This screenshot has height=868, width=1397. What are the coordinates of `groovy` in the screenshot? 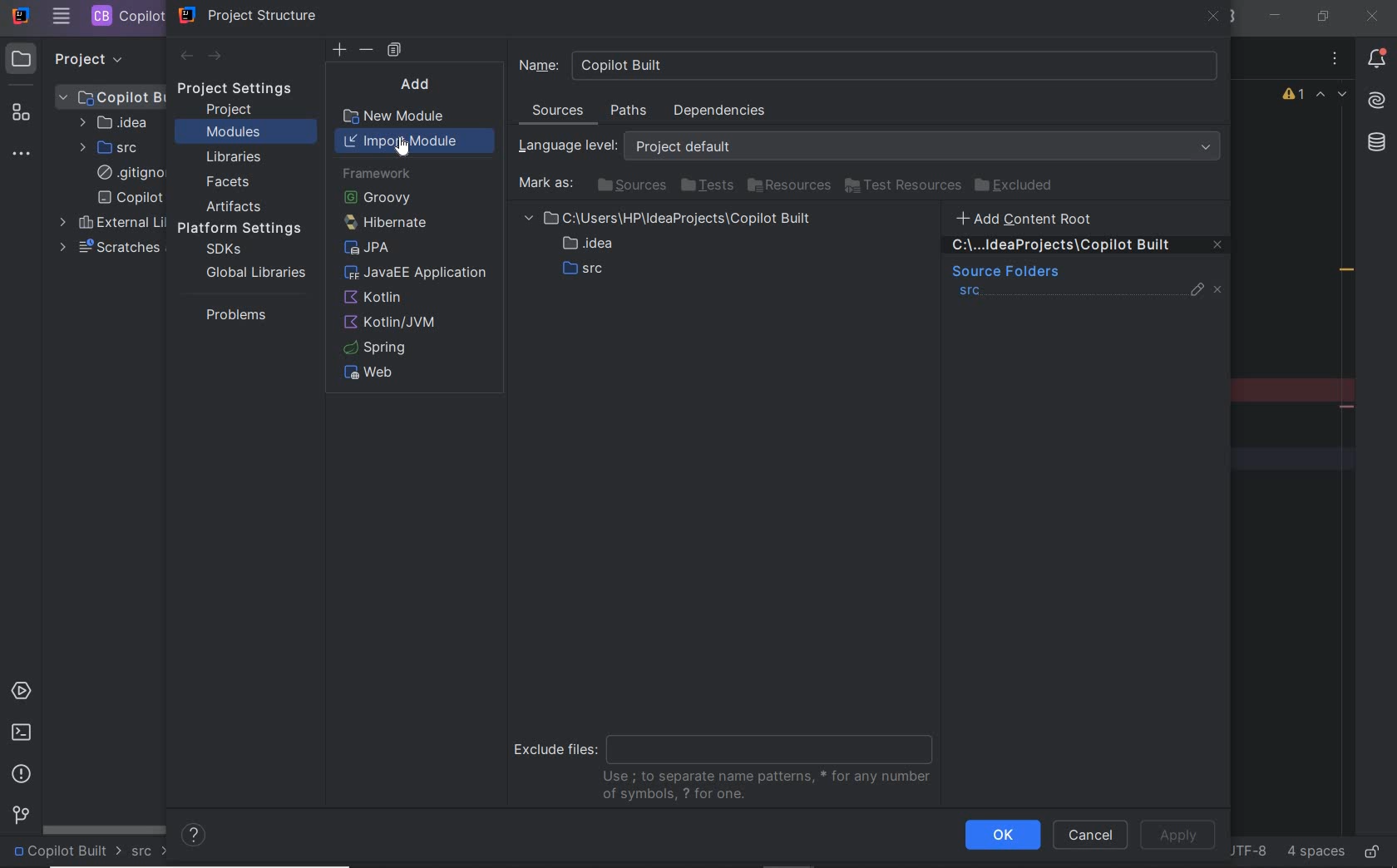 It's located at (377, 197).